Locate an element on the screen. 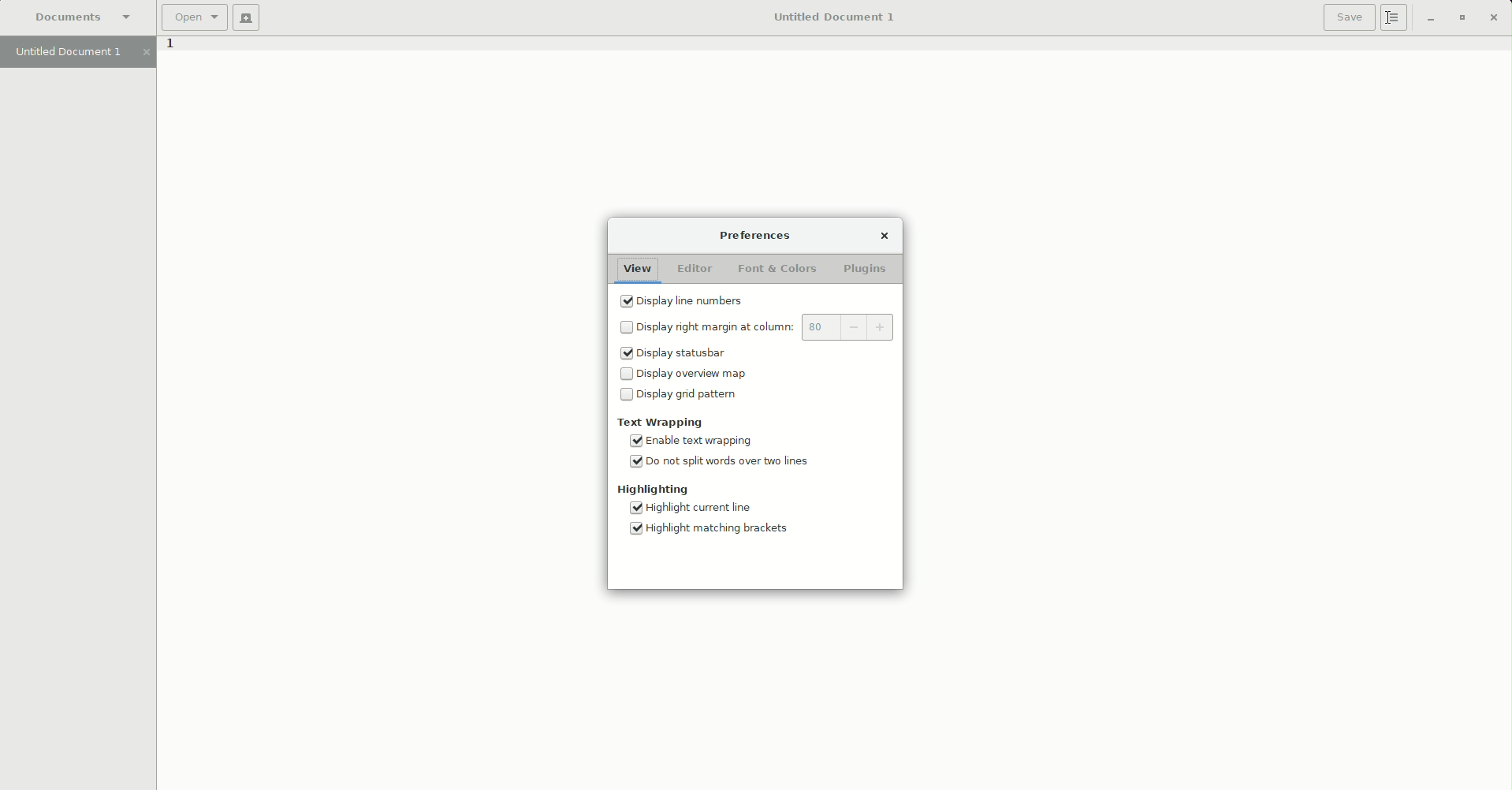  New is located at coordinates (246, 18).